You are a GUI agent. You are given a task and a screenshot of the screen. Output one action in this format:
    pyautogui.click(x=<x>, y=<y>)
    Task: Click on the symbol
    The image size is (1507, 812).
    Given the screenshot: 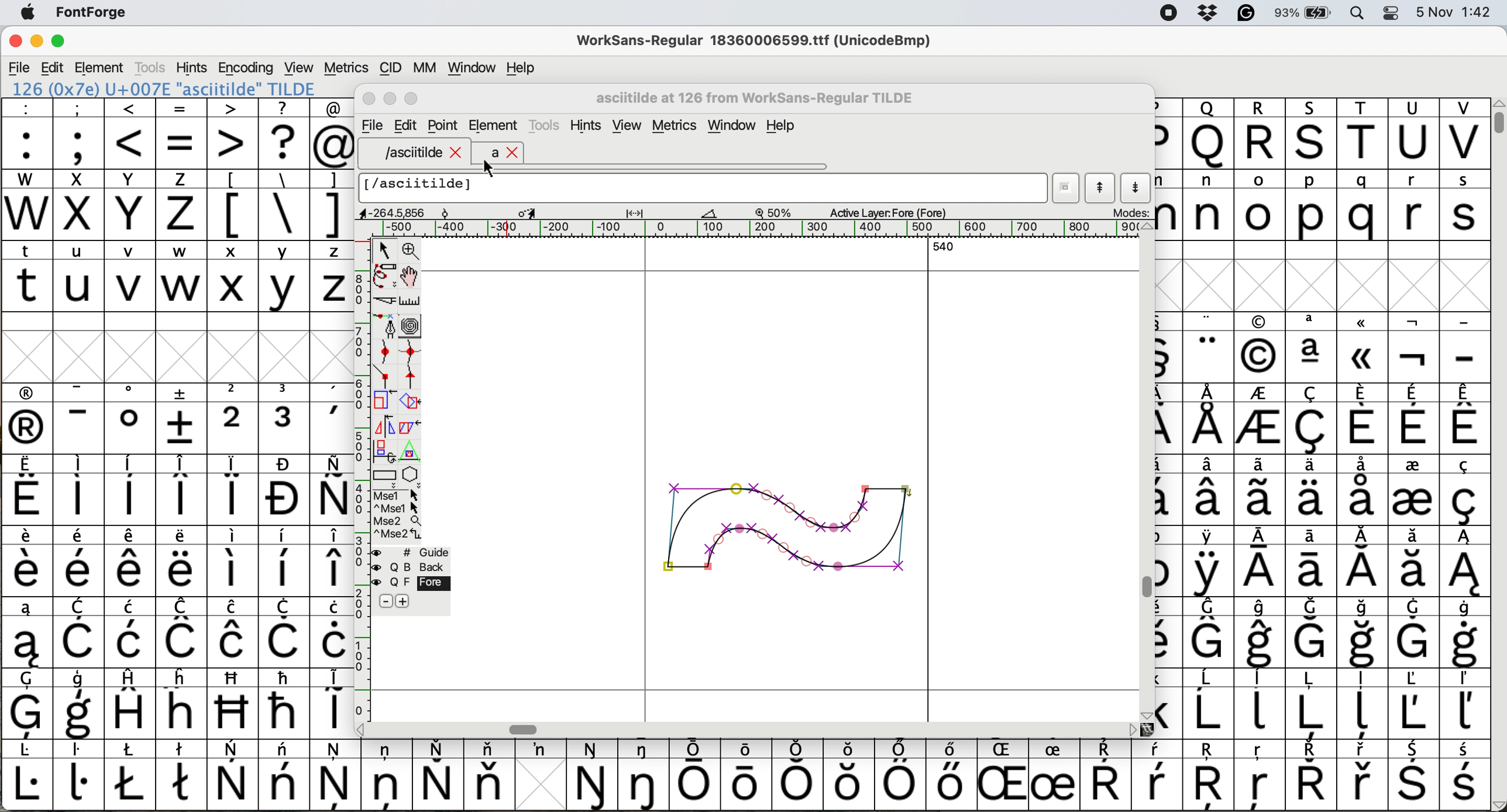 What is the action you would take?
    pyautogui.click(x=28, y=419)
    